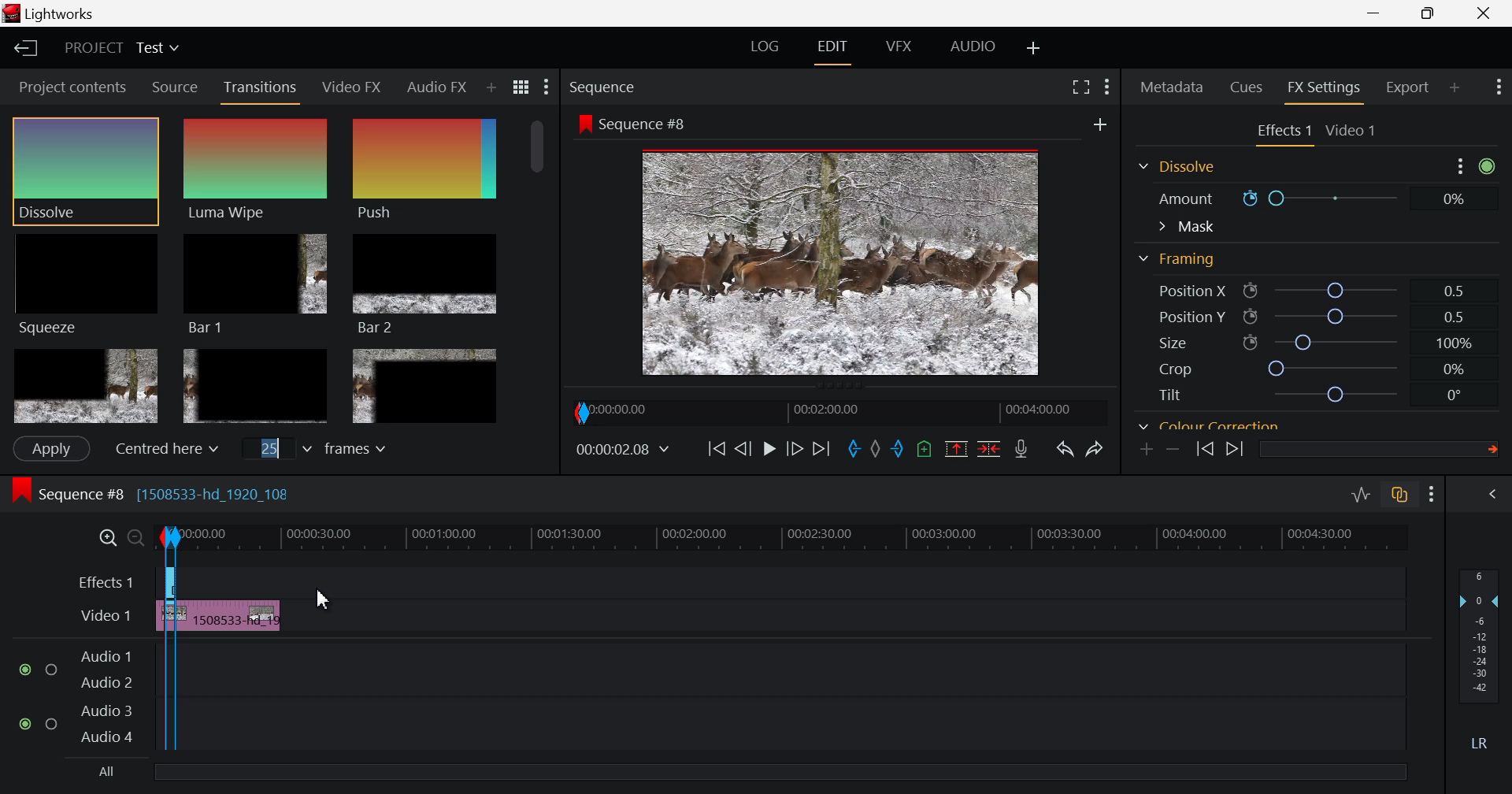 This screenshot has width=1512, height=794. What do you see at coordinates (795, 451) in the screenshot?
I see `Go Forward` at bounding box center [795, 451].